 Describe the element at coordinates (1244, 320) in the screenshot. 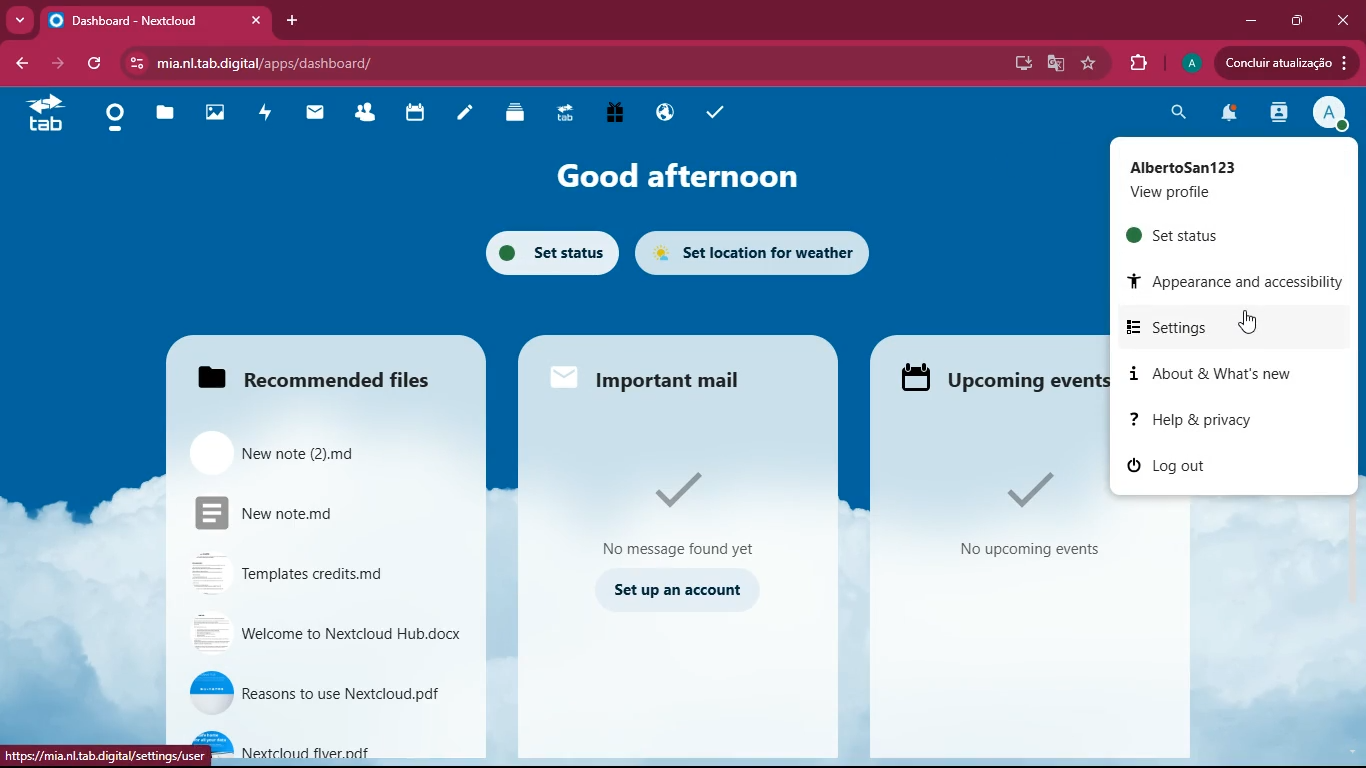

I see `Cursor` at that location.